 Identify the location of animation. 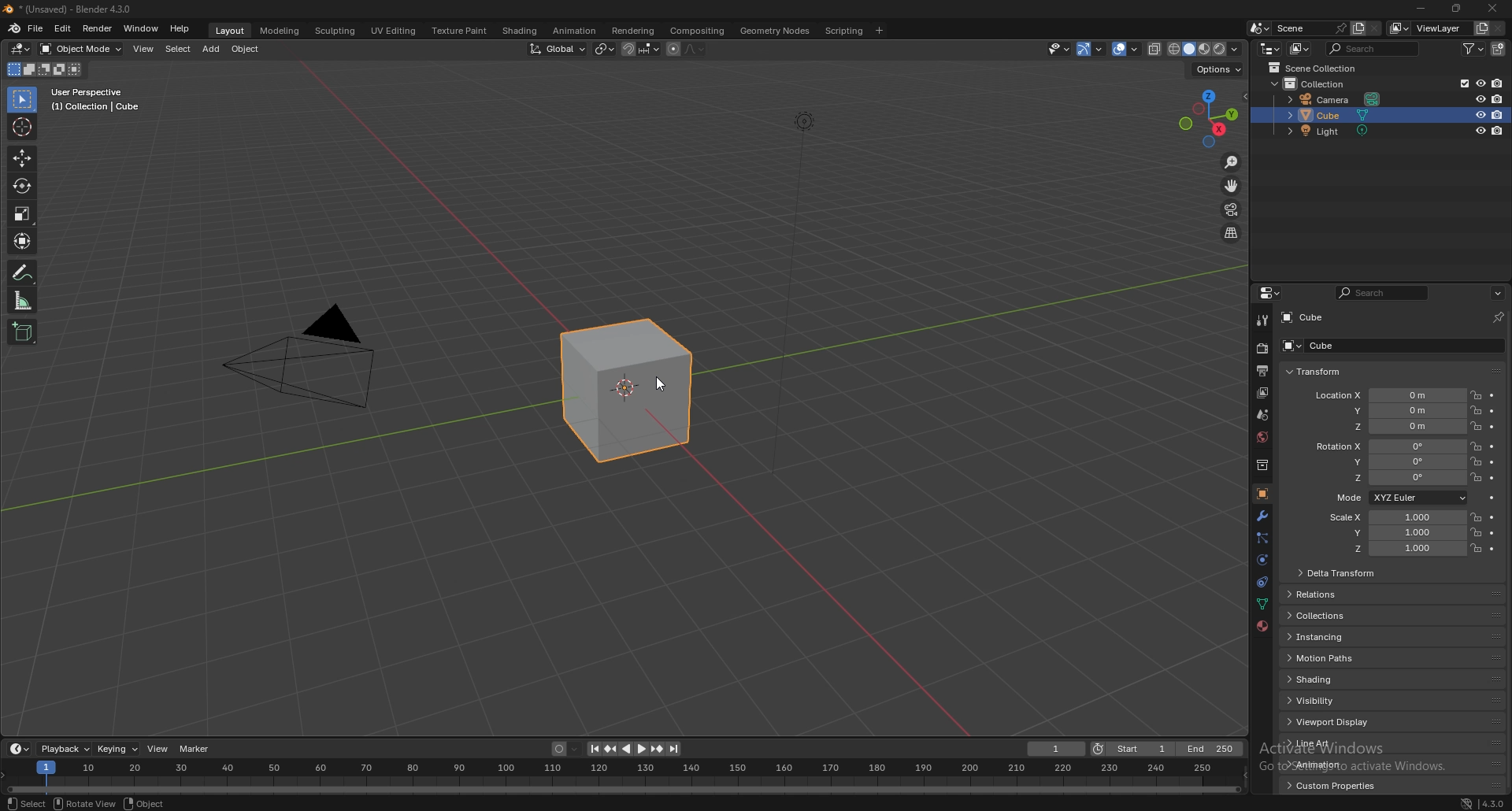
(1323, 765).